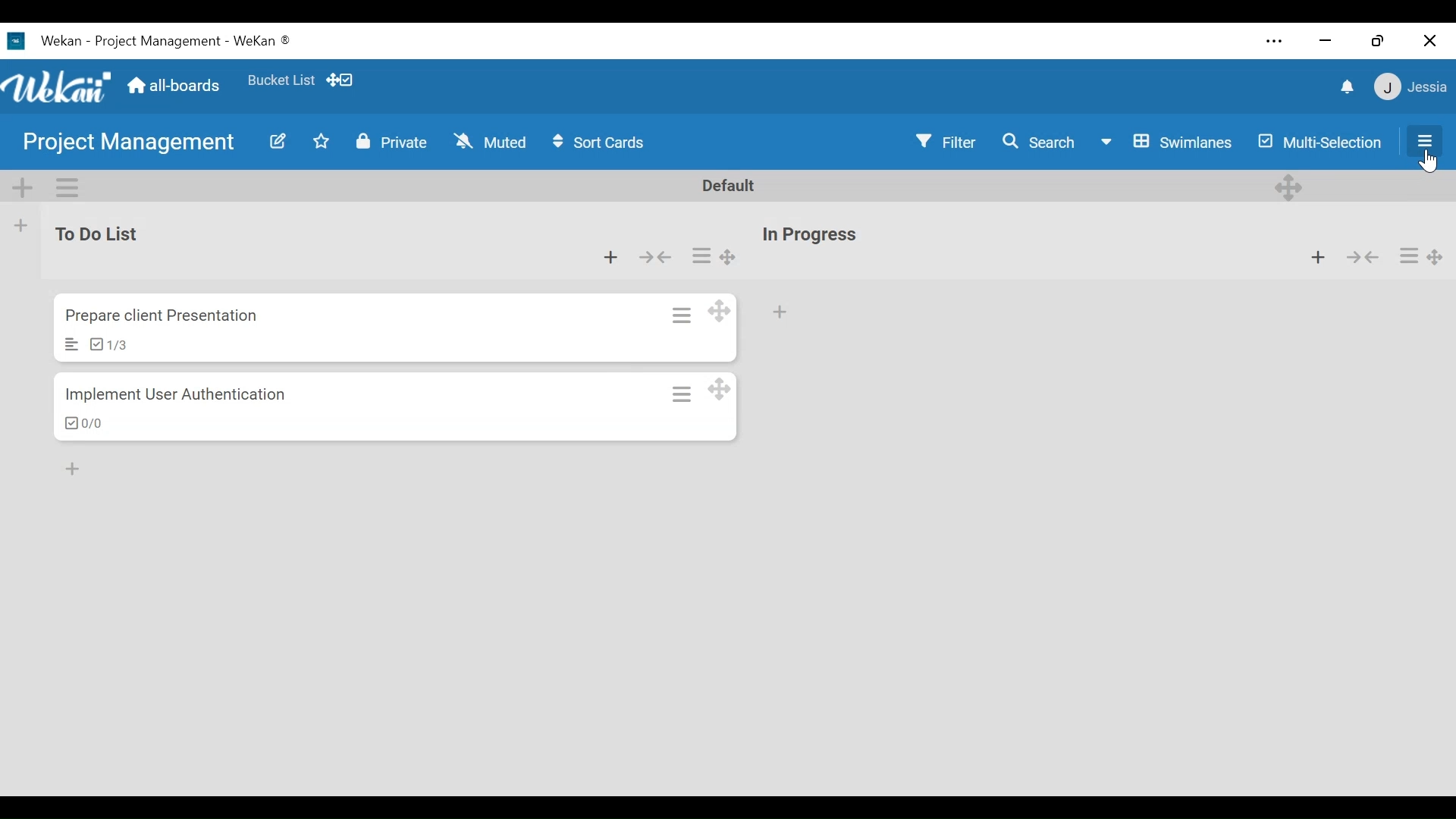 This screenshot has width=1456, height=819. Describe the element at coordinates (1290, 187) in the screenshot. I see `Desktop drag handle` at that location.